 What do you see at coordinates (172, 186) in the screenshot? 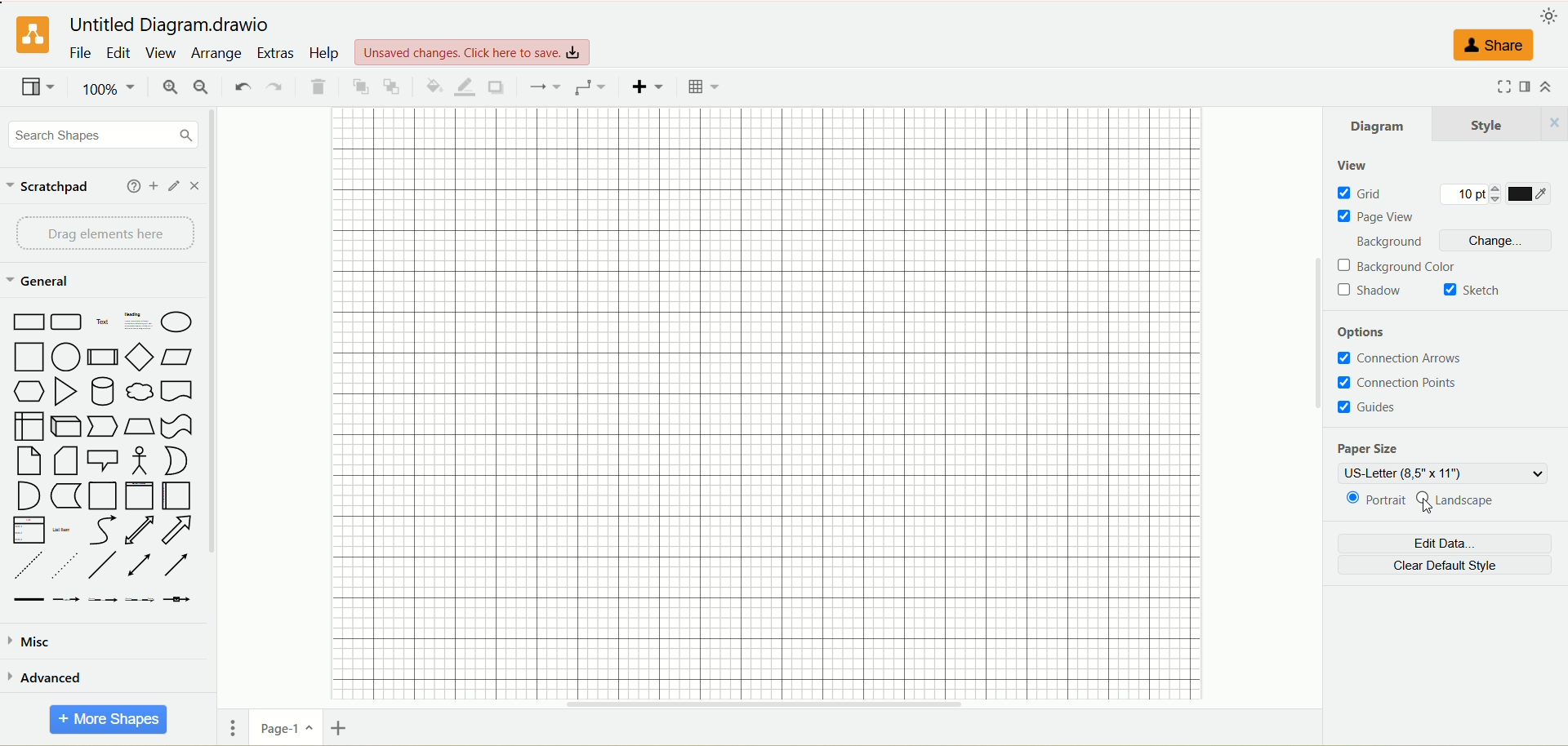
I see `edit` at bounding box center [172, 186].